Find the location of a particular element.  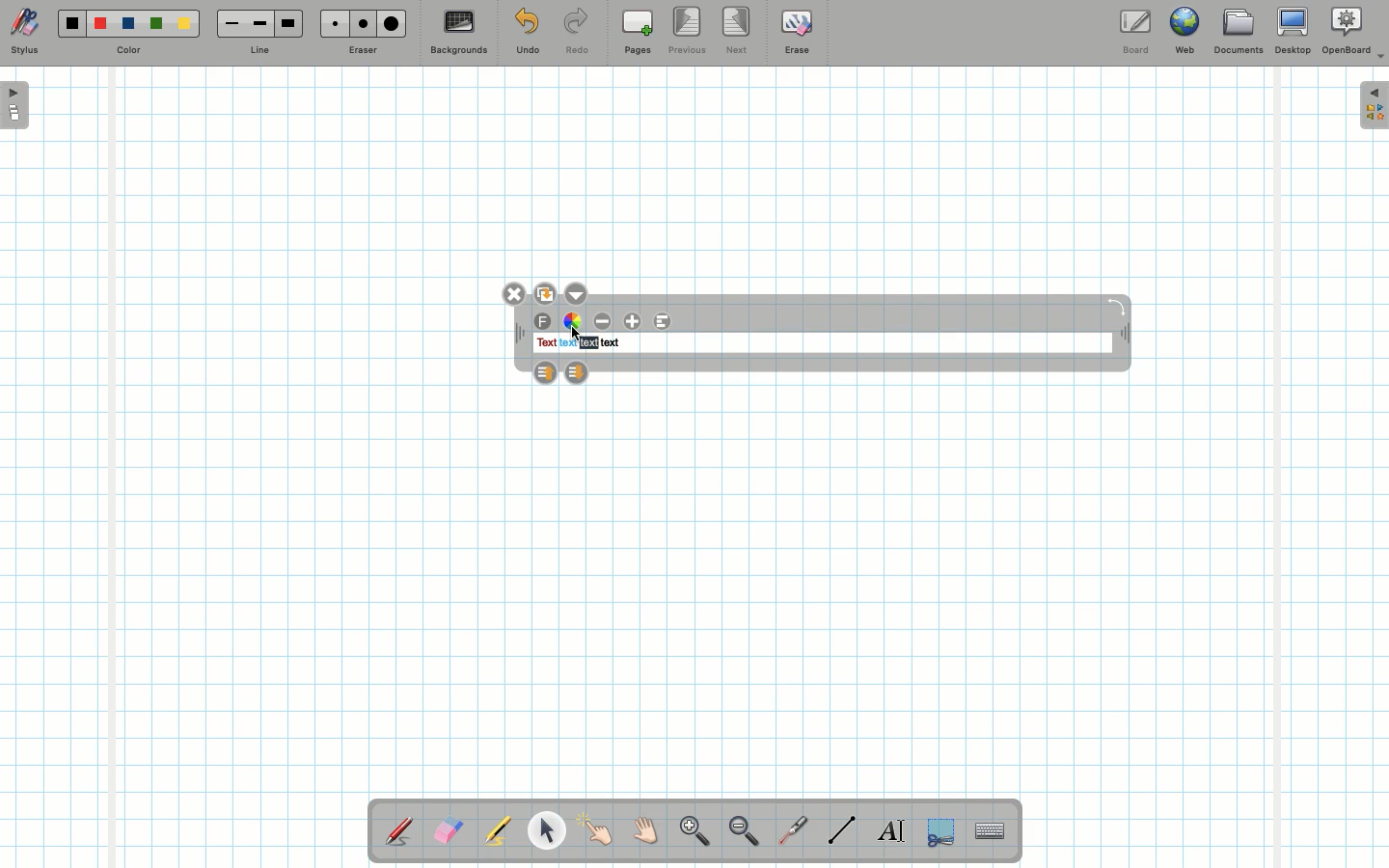

Small line is located at coordinates (229, 24).